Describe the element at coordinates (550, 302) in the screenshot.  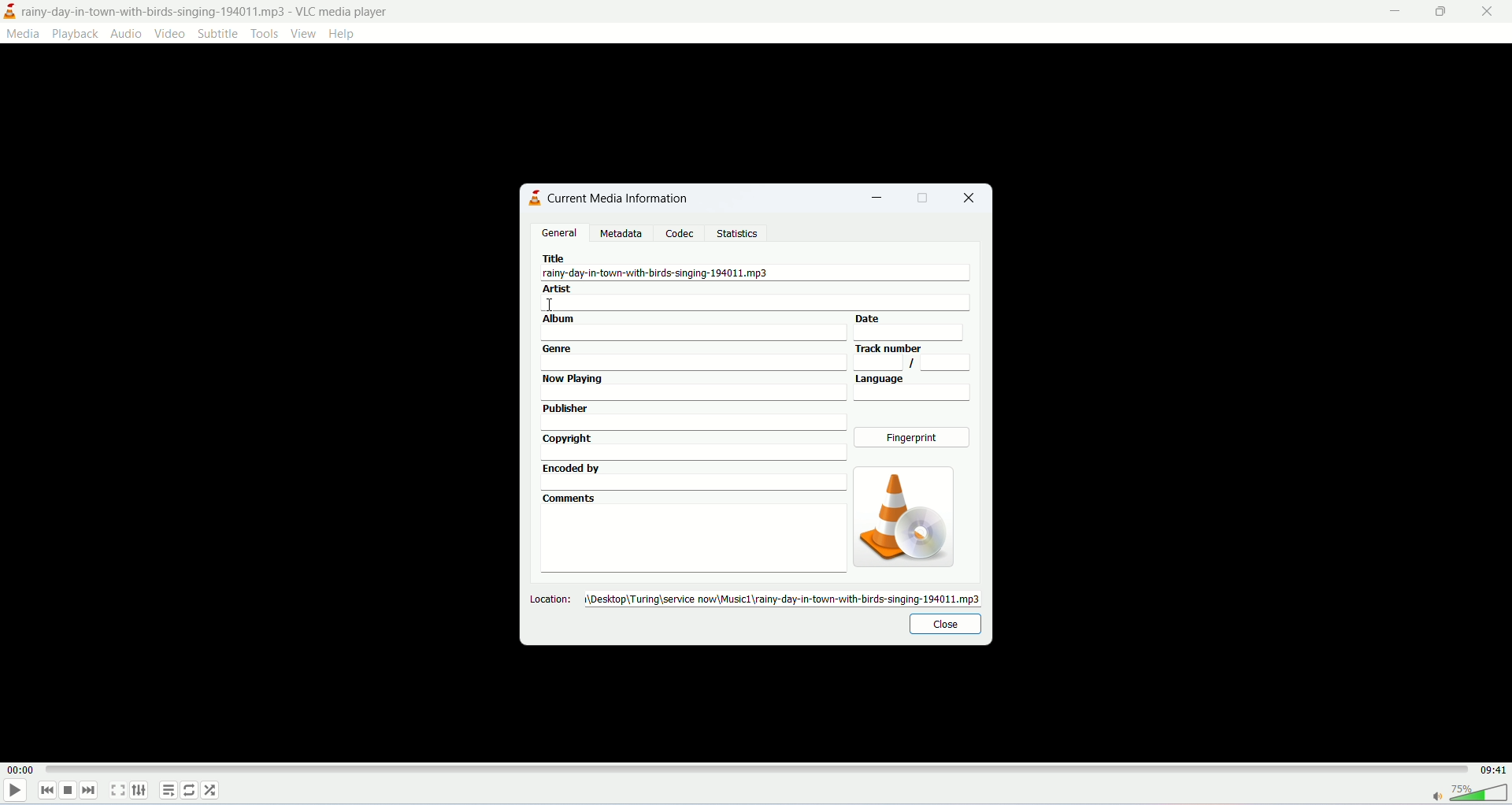
I see `mouse cursor` at that location.